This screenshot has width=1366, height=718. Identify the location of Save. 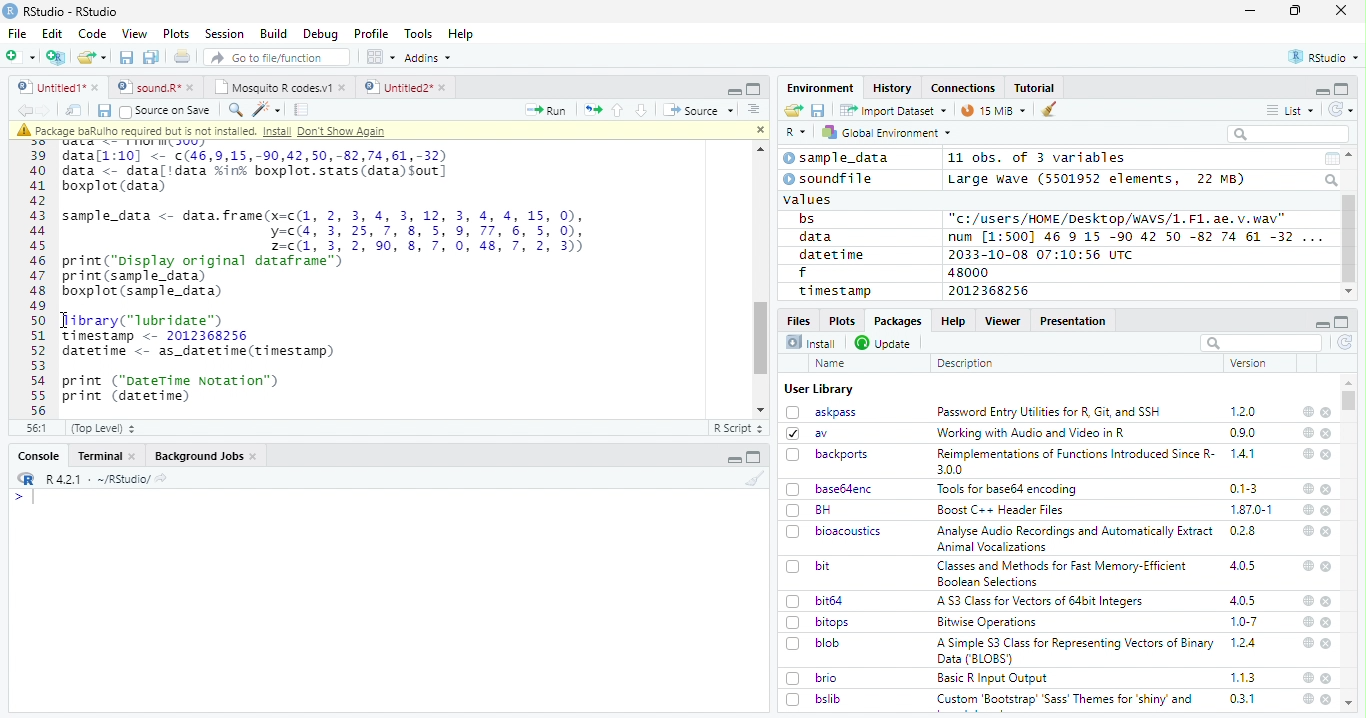
(103, 111).